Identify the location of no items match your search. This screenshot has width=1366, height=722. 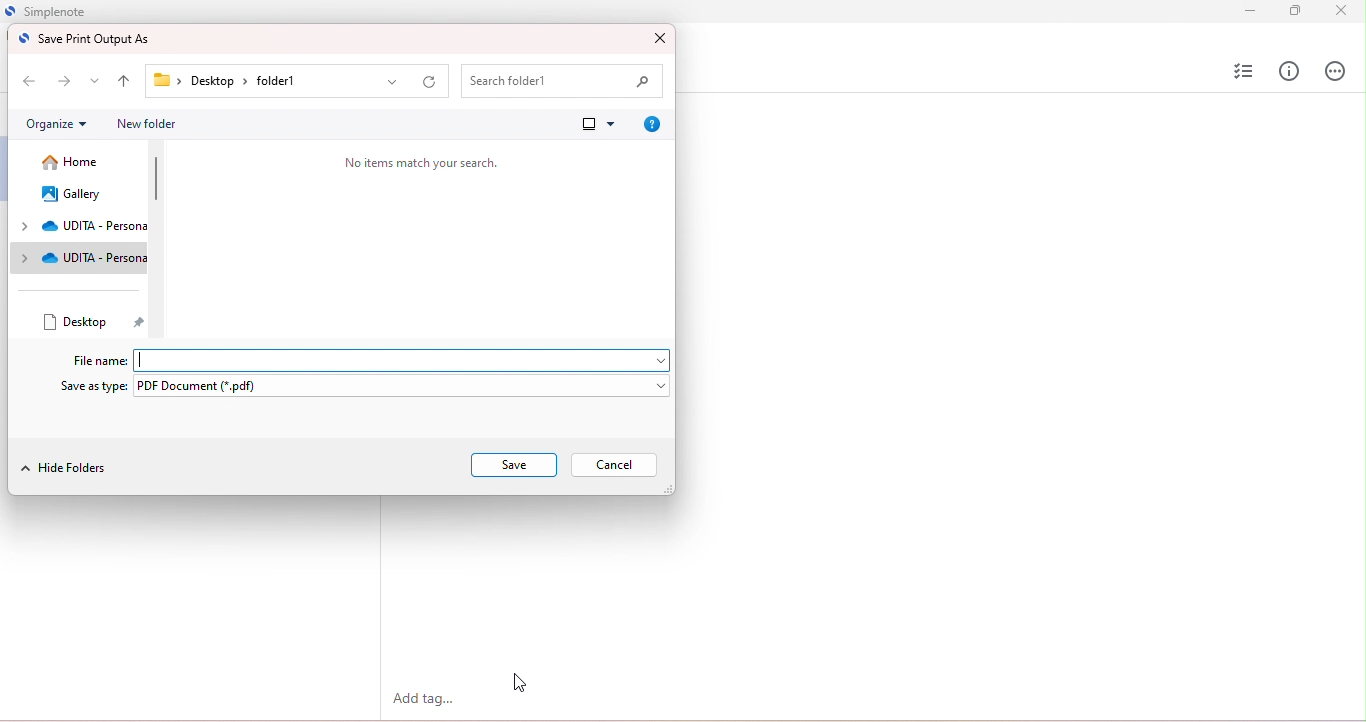
(420, 162).